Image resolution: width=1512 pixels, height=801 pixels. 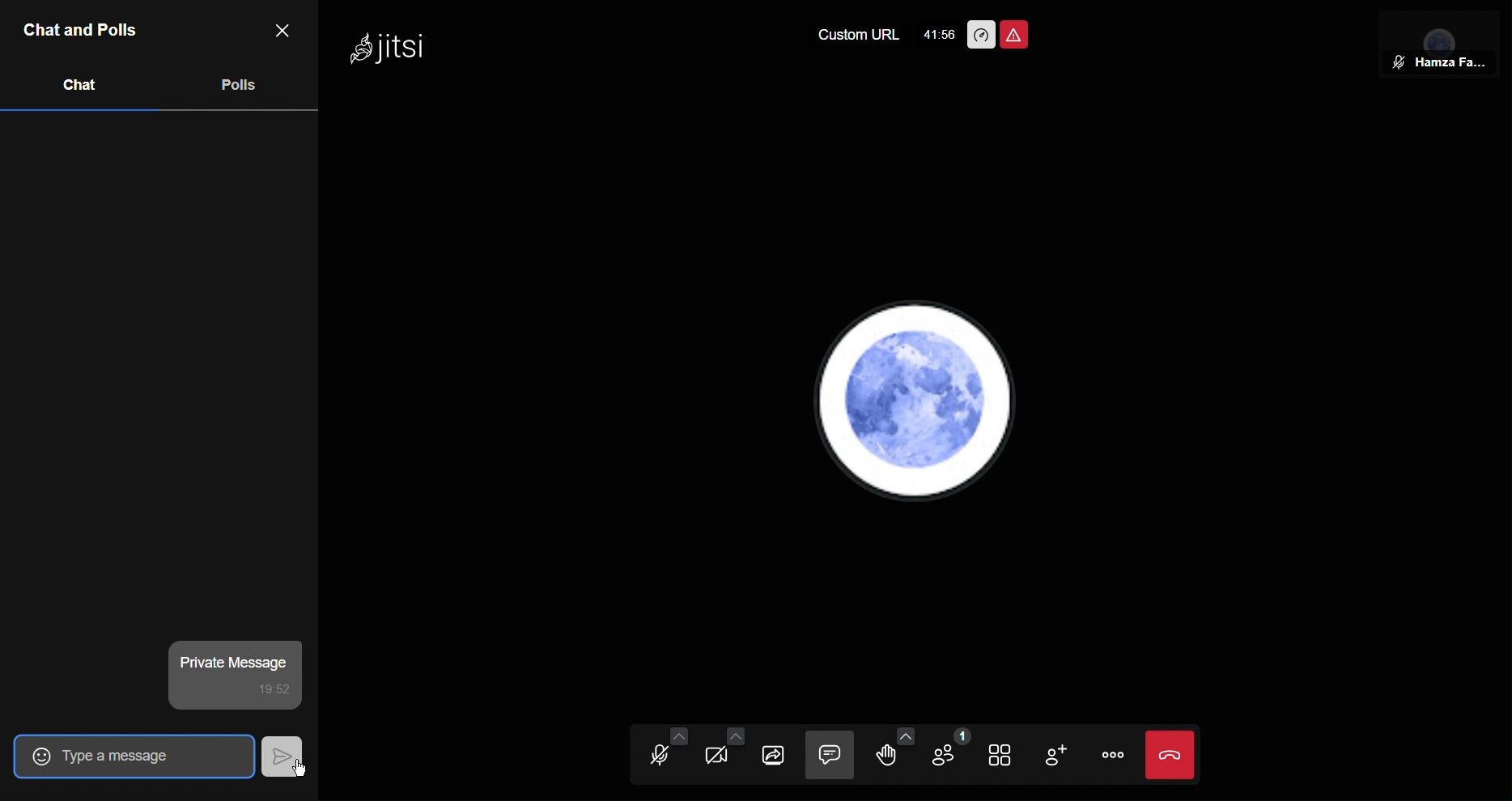 I want to click on Send, so click(x=286, y=756).